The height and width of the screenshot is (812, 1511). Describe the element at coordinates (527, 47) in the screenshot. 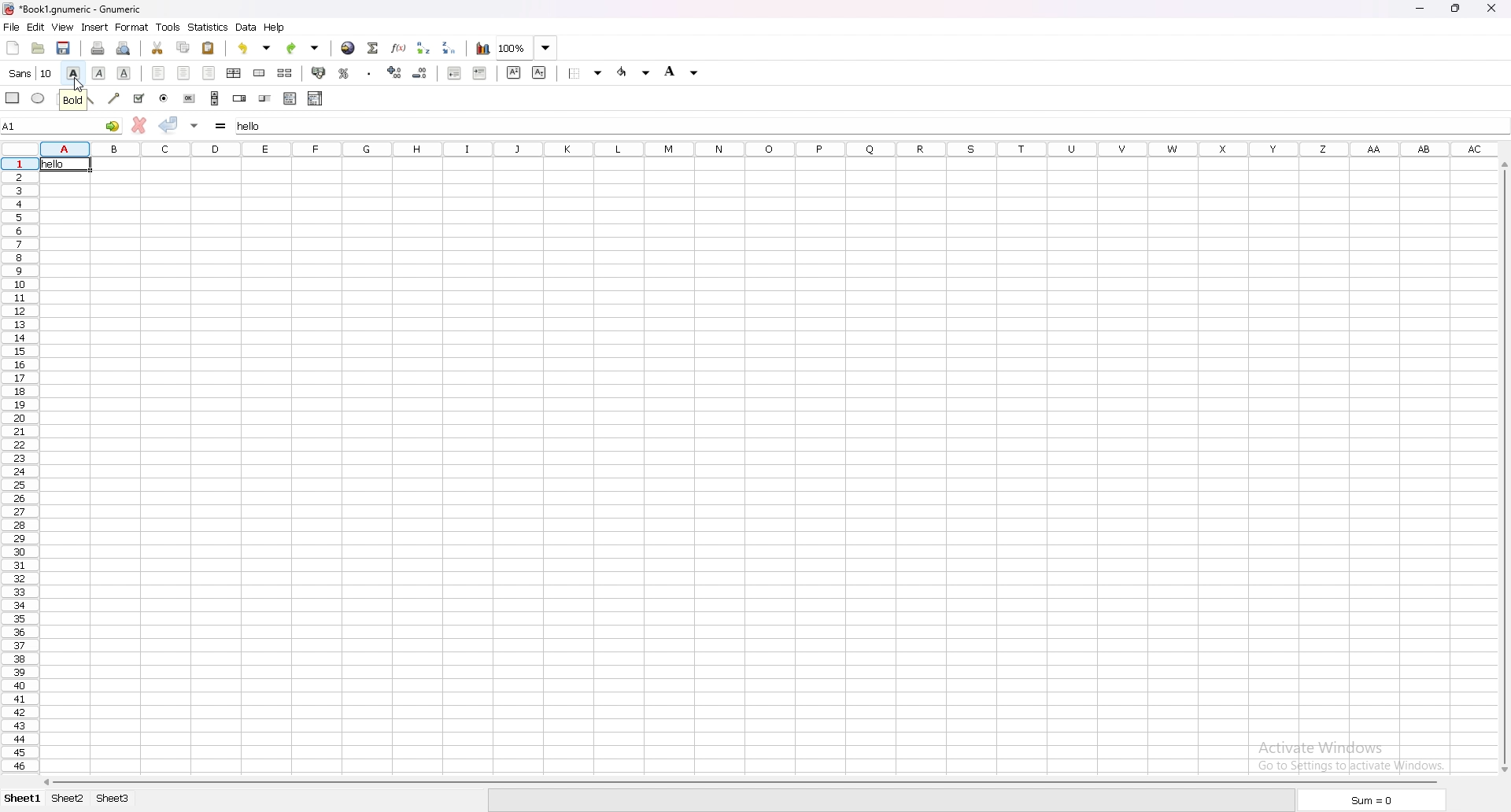

I see `zoom` at that location.